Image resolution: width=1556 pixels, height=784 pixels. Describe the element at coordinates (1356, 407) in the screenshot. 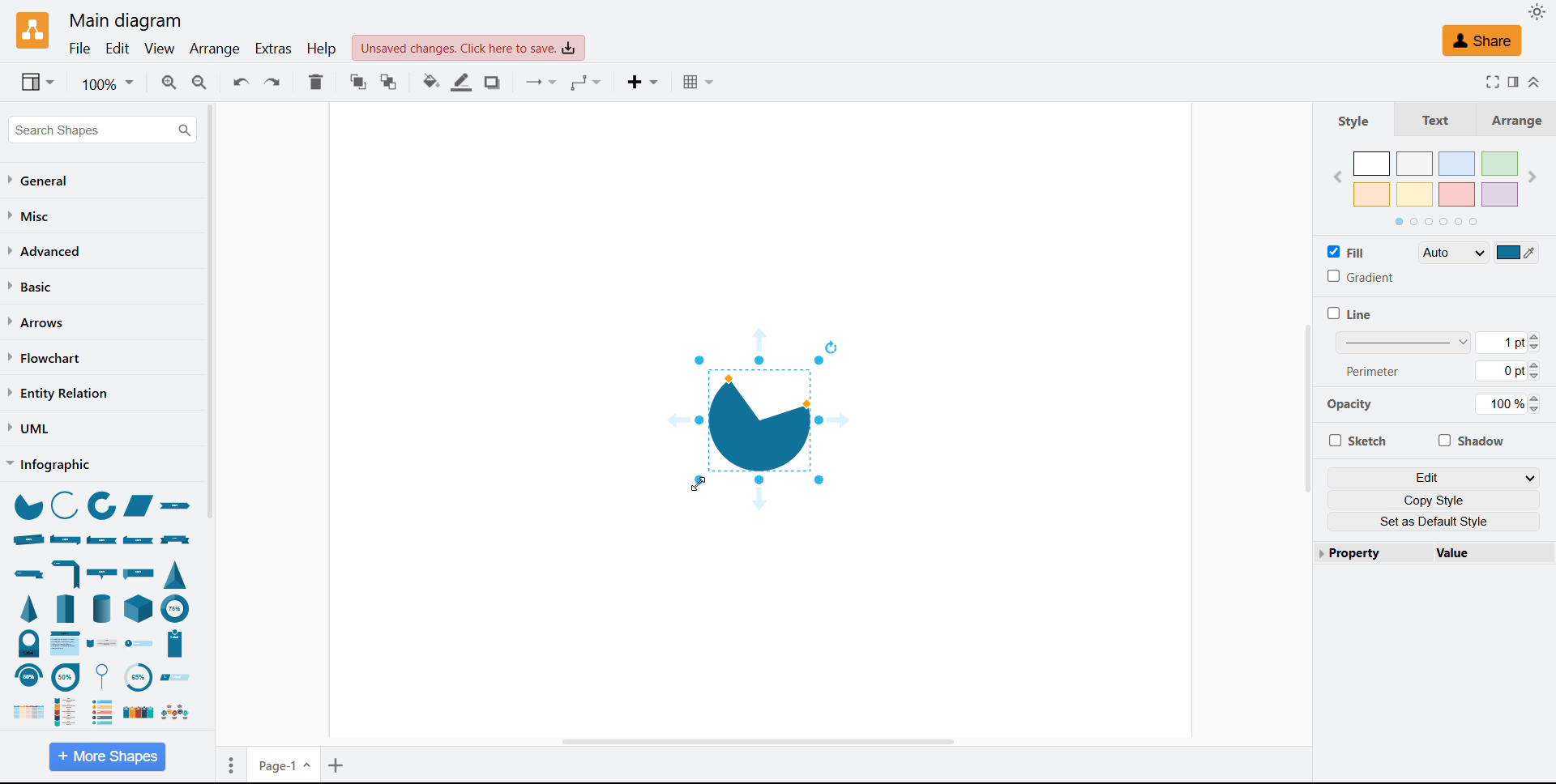

I see `opacity` at that location.